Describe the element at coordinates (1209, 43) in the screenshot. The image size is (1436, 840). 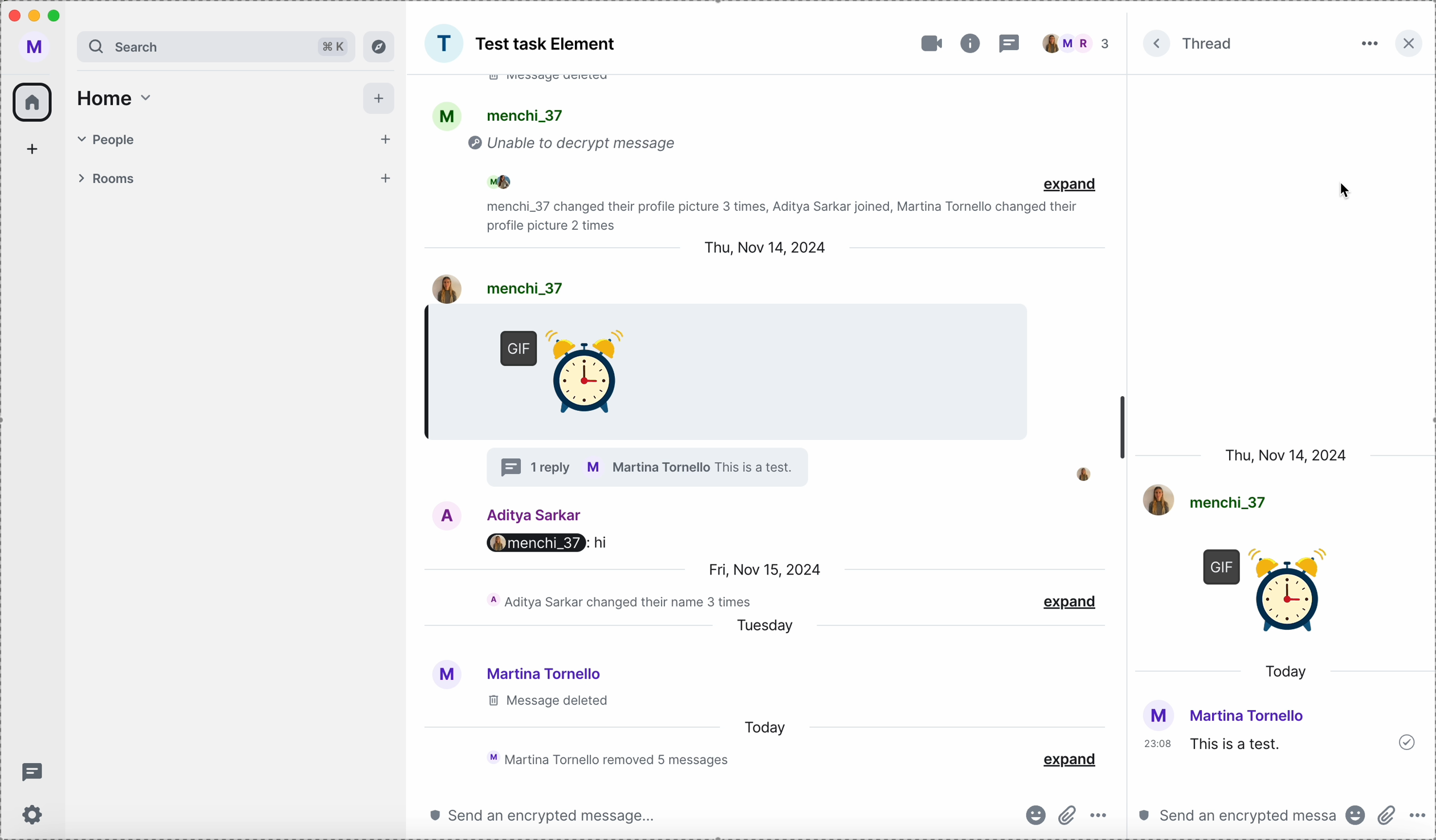
I see `thread` at that location.